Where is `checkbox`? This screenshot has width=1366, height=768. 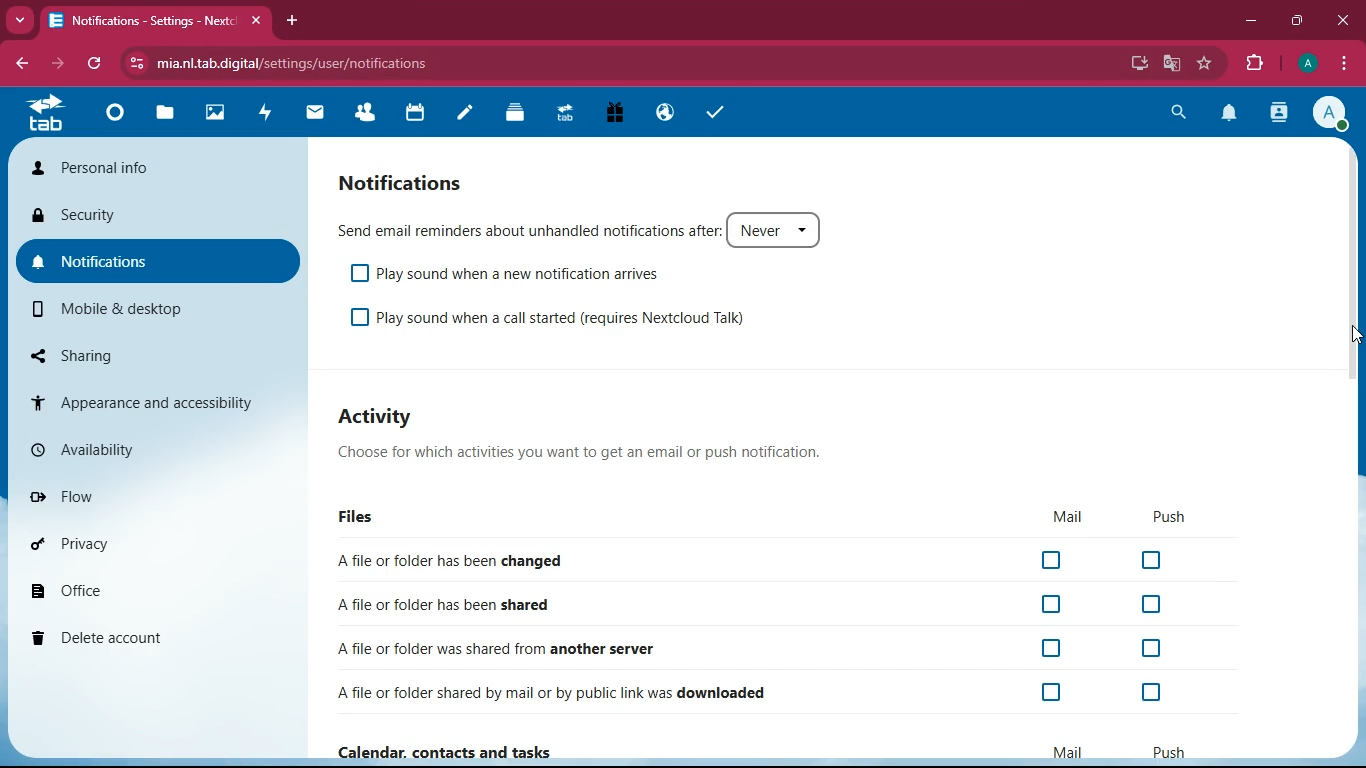
checkbox is located at coordinates (357, 274).